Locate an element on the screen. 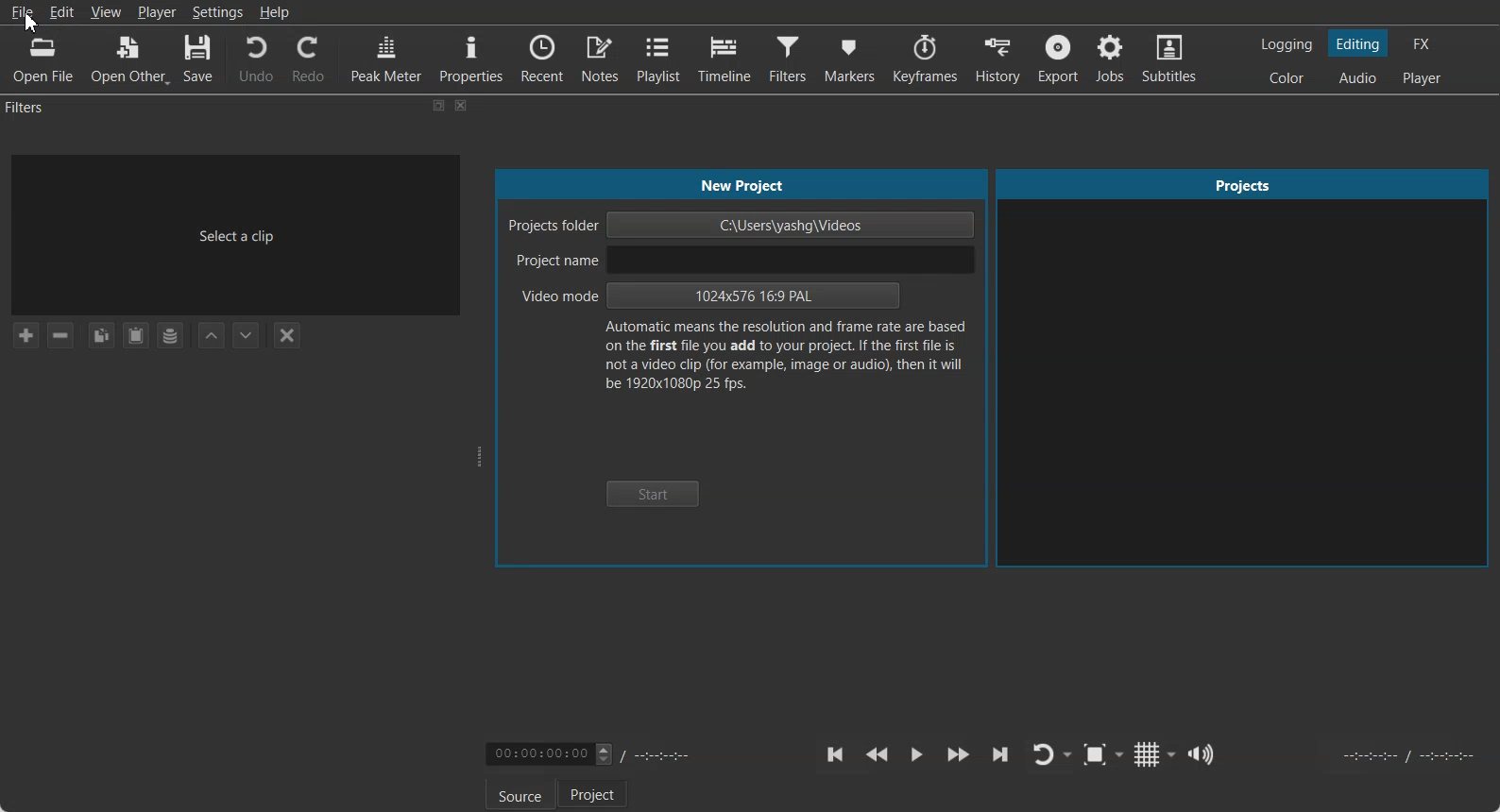 This screenshot has width=1500, height=812. Toggle paly or pause is located at coordinates (915, 755).